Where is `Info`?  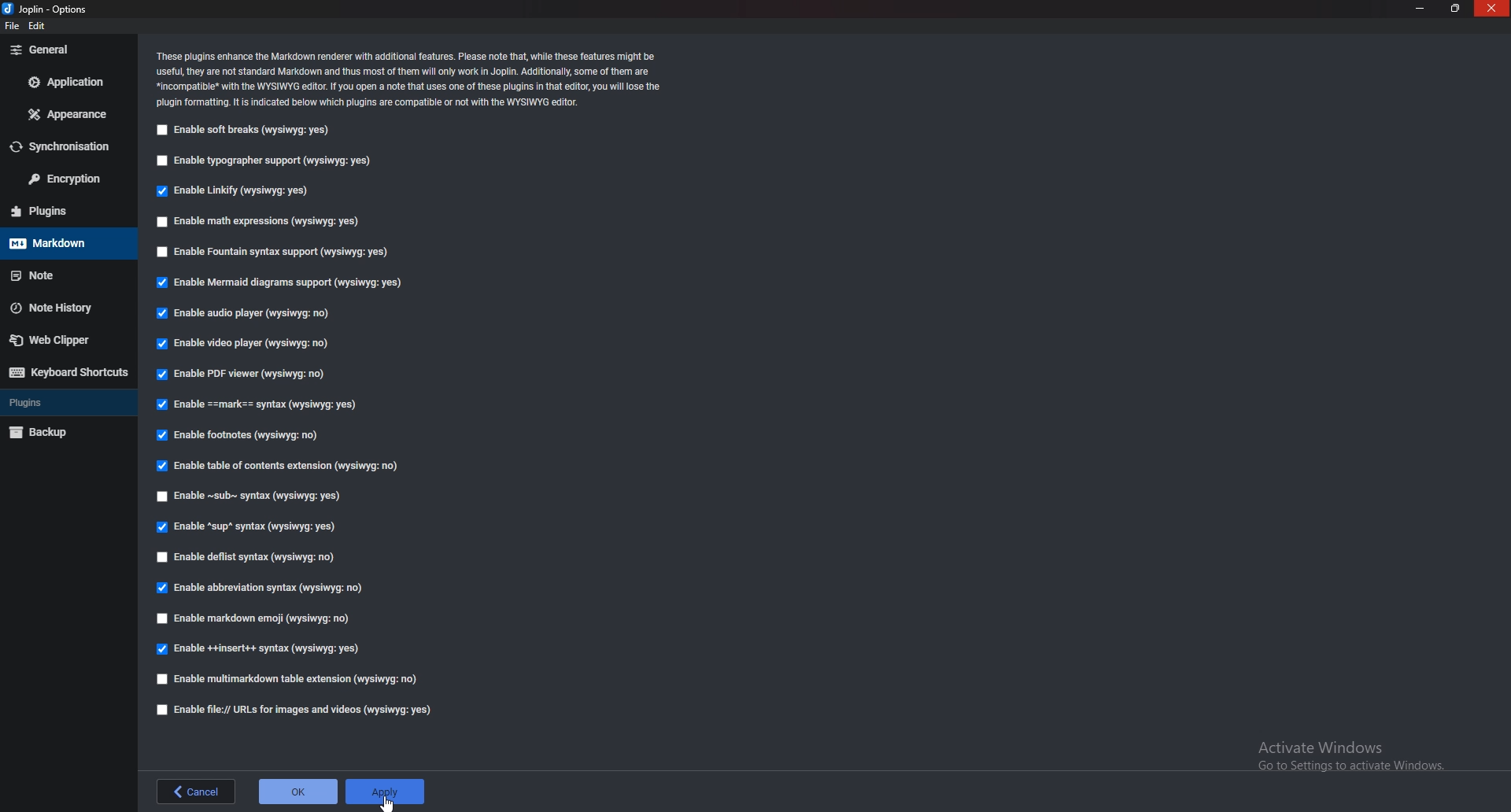 Info is located at coordinates (416, 78).